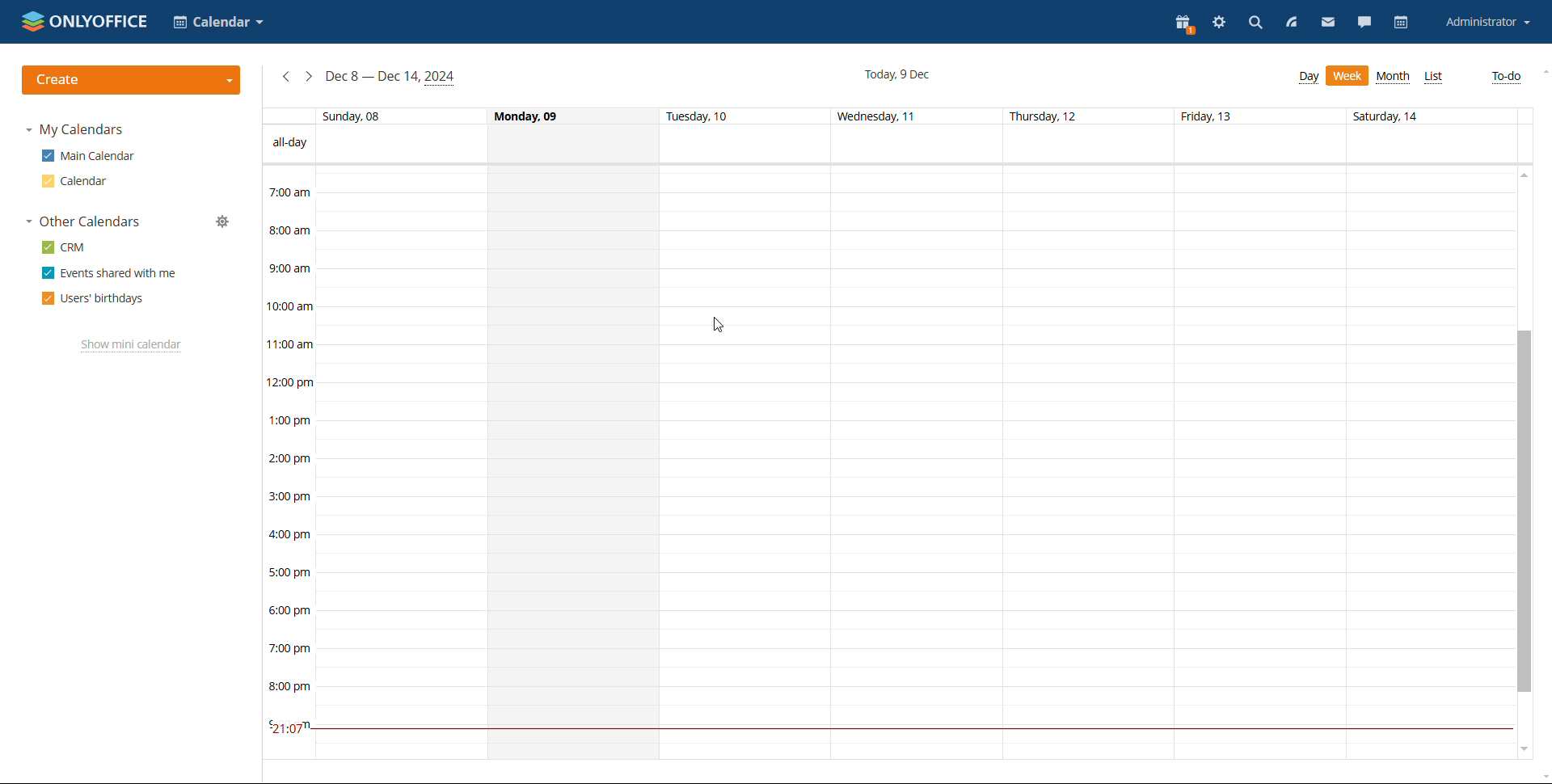 This screenshot has height=784, width=1552. I want to click on calender, so click(218, 23).